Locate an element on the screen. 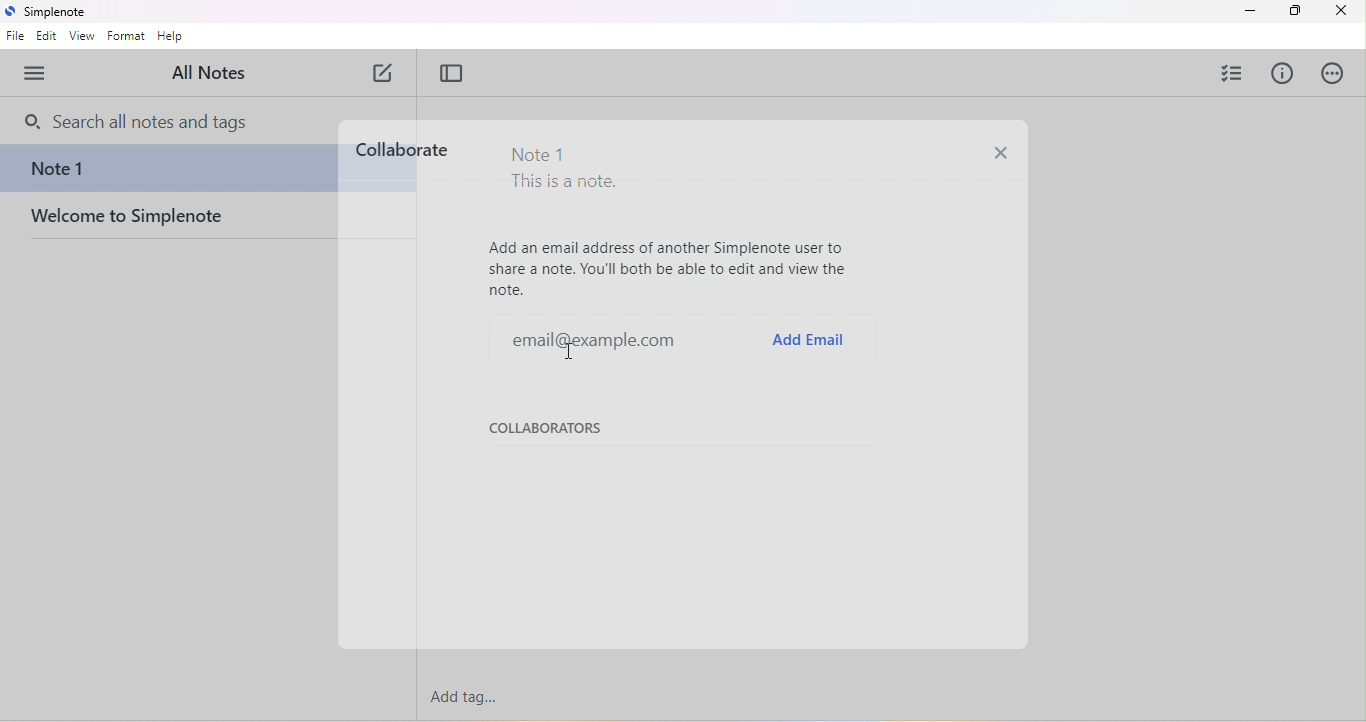  file is located at coordinates (15, 37).